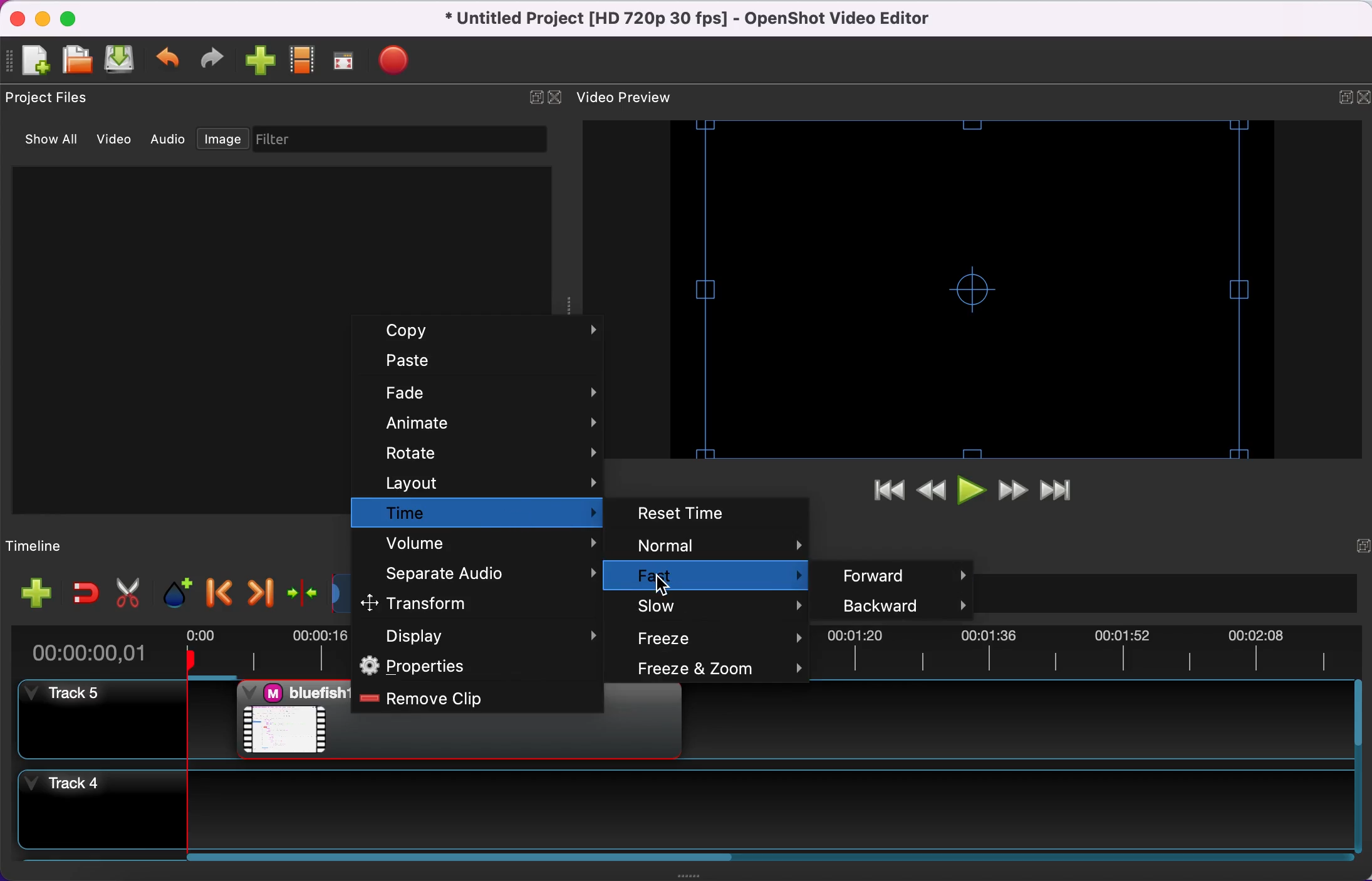 The width and height of the screenshot is (1372, 881). What do you see at coordinates (128, 592) in the screenshot?
I see `cut` at bounding box center [128, 592].